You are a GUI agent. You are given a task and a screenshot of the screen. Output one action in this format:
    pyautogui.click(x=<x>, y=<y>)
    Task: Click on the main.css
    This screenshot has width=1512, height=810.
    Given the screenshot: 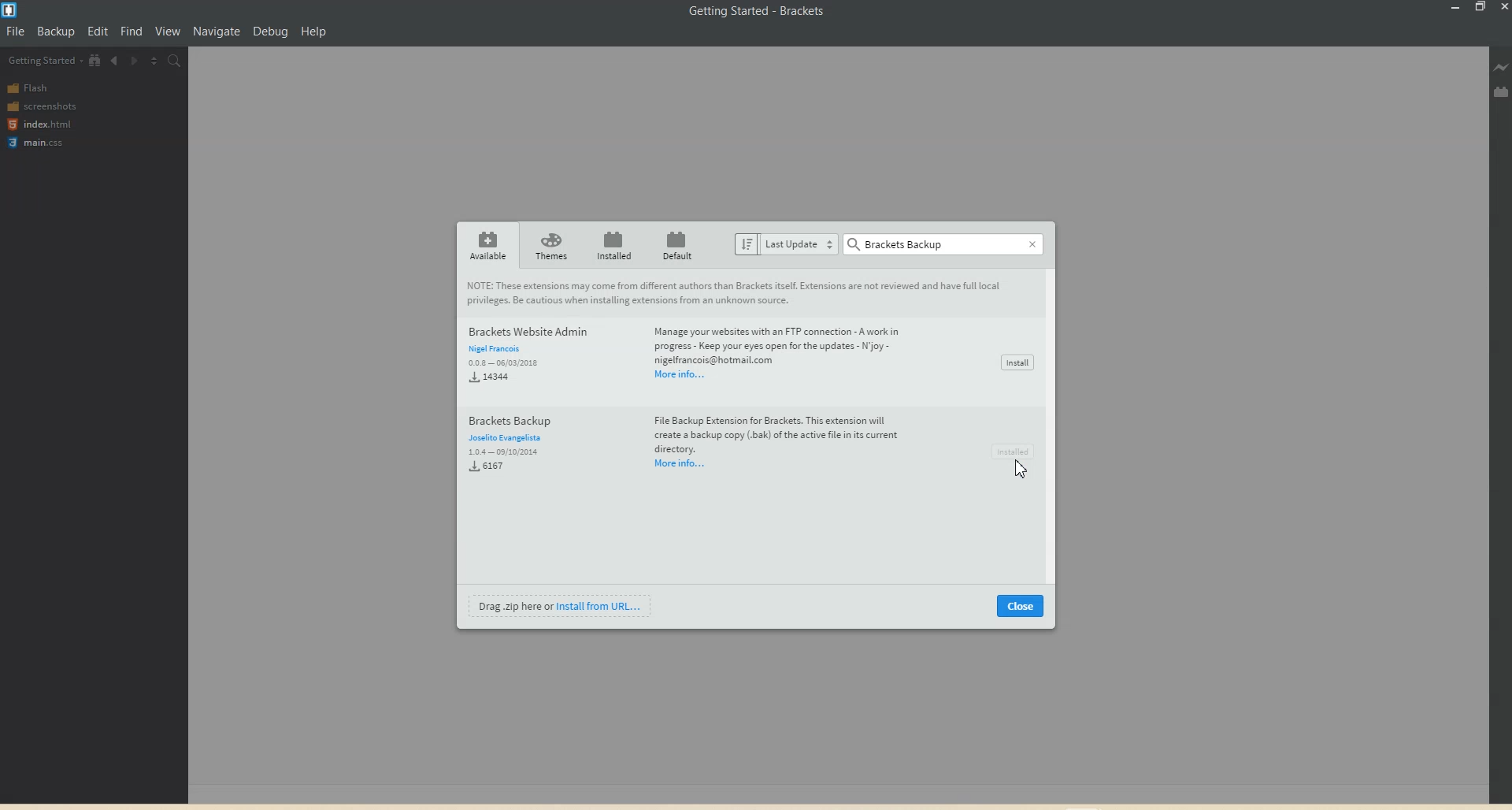 What is the action you would take?
    pyautogui.click(x=39, y=143)
    